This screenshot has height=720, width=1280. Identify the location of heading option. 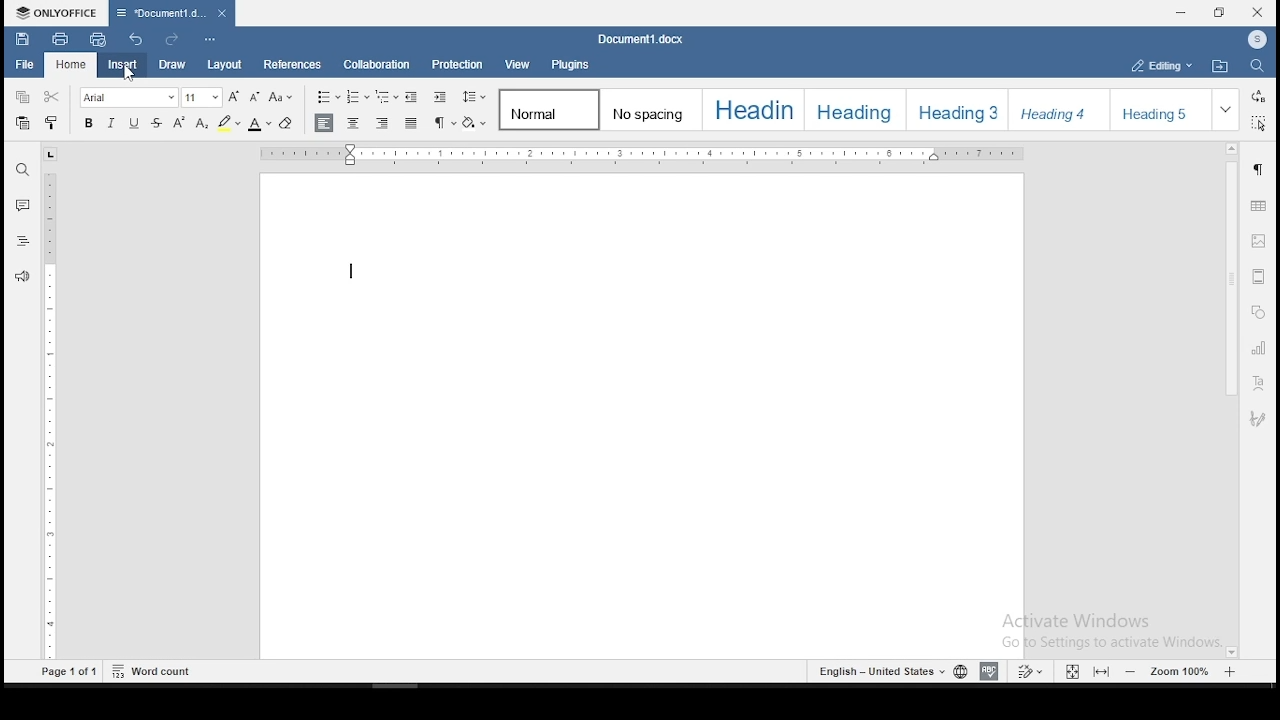
(549, 111).